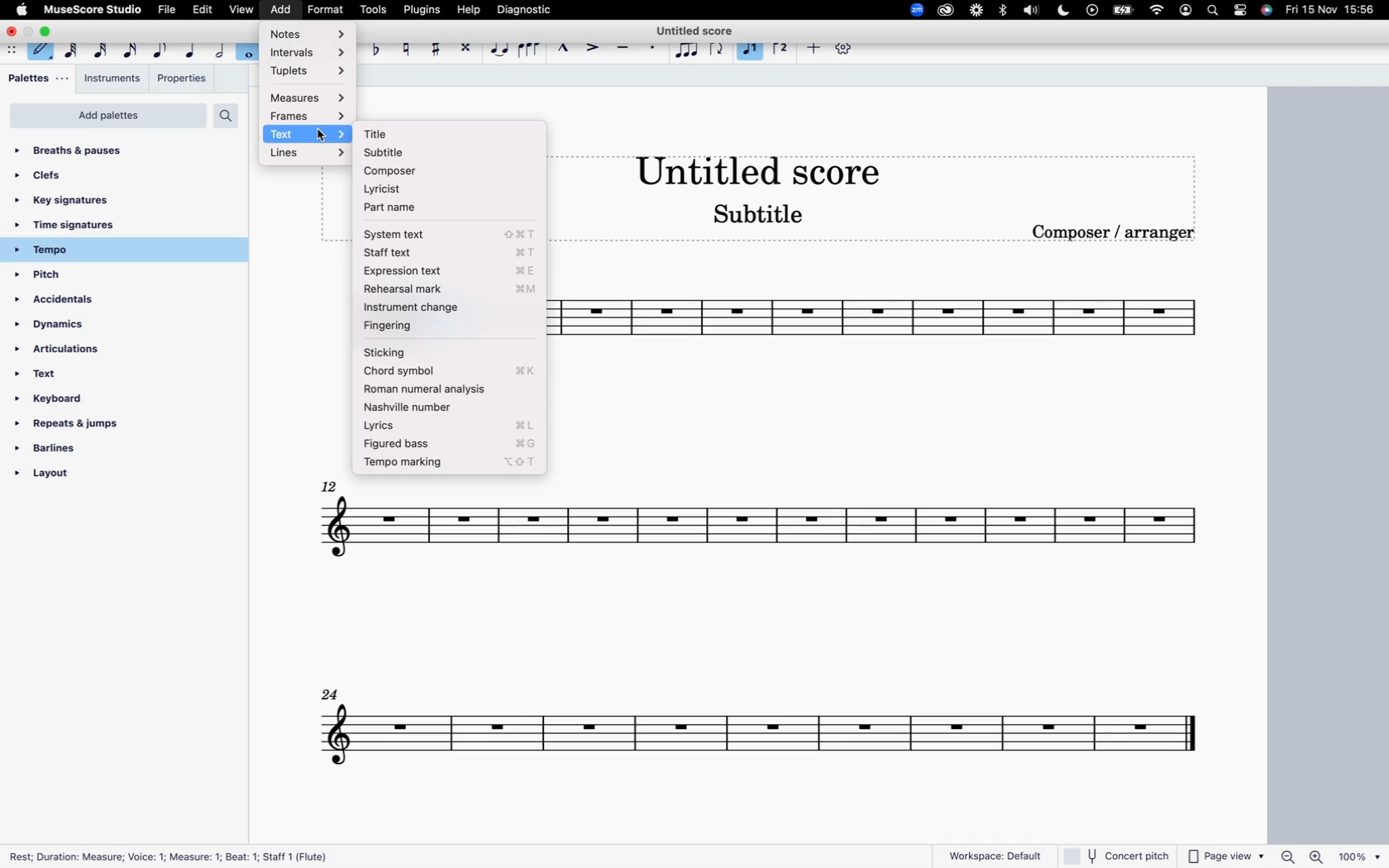 The image size is (1389, 868). What do you see at coordinates (231, 116) in the screenshot?
I see `search` at bounding box center [231, 116].